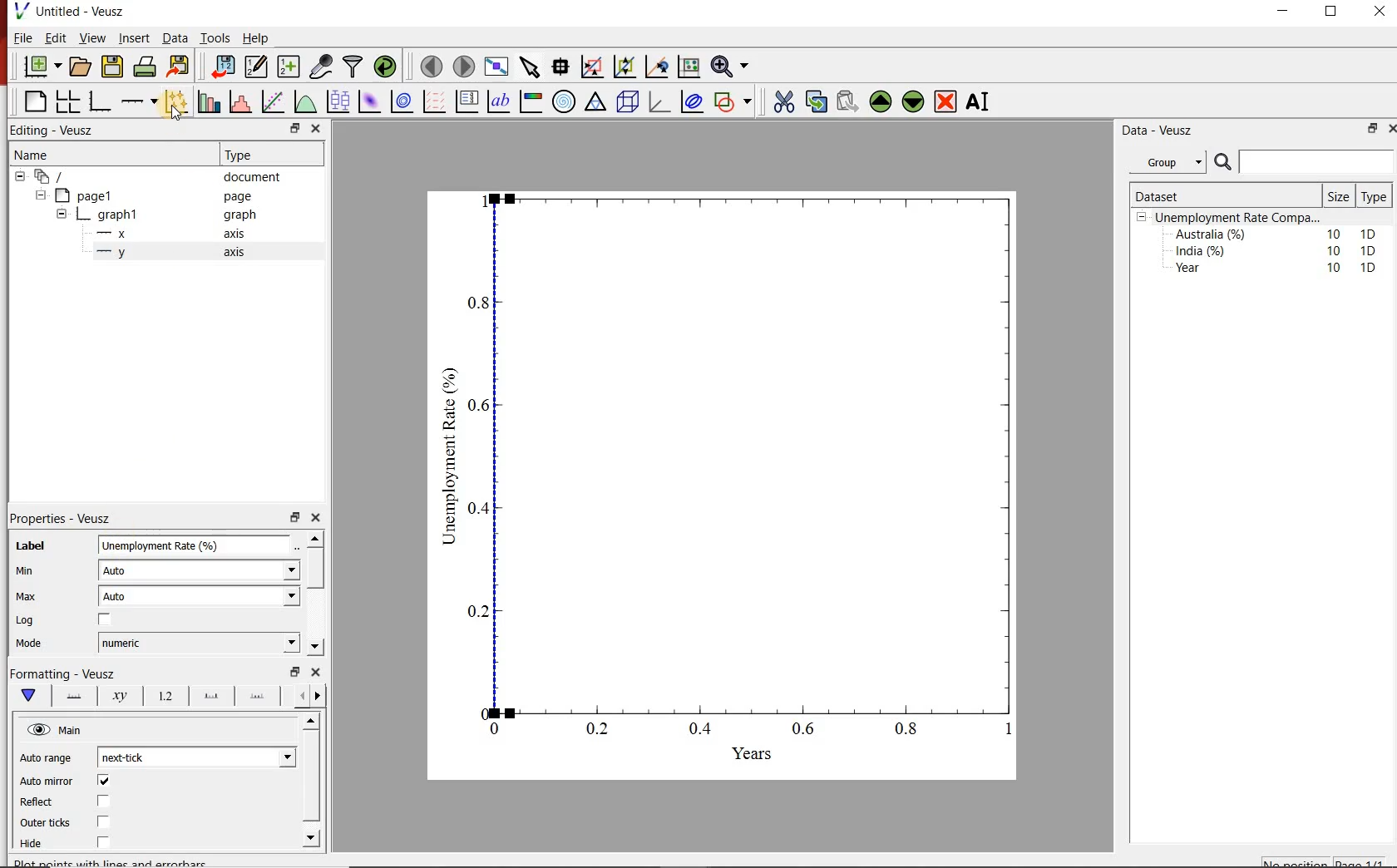 Image resolution: width=1397 pixels, height=868 pixels. I want to click on scroll bar, so click(312, 776).